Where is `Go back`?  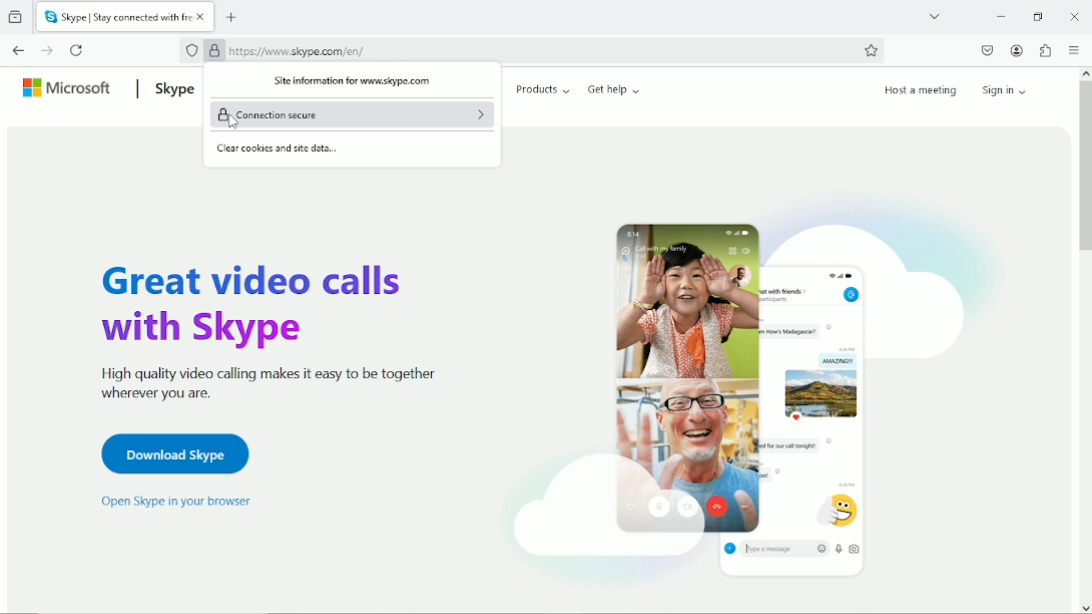 Go back is located at coordinates (19, 50).